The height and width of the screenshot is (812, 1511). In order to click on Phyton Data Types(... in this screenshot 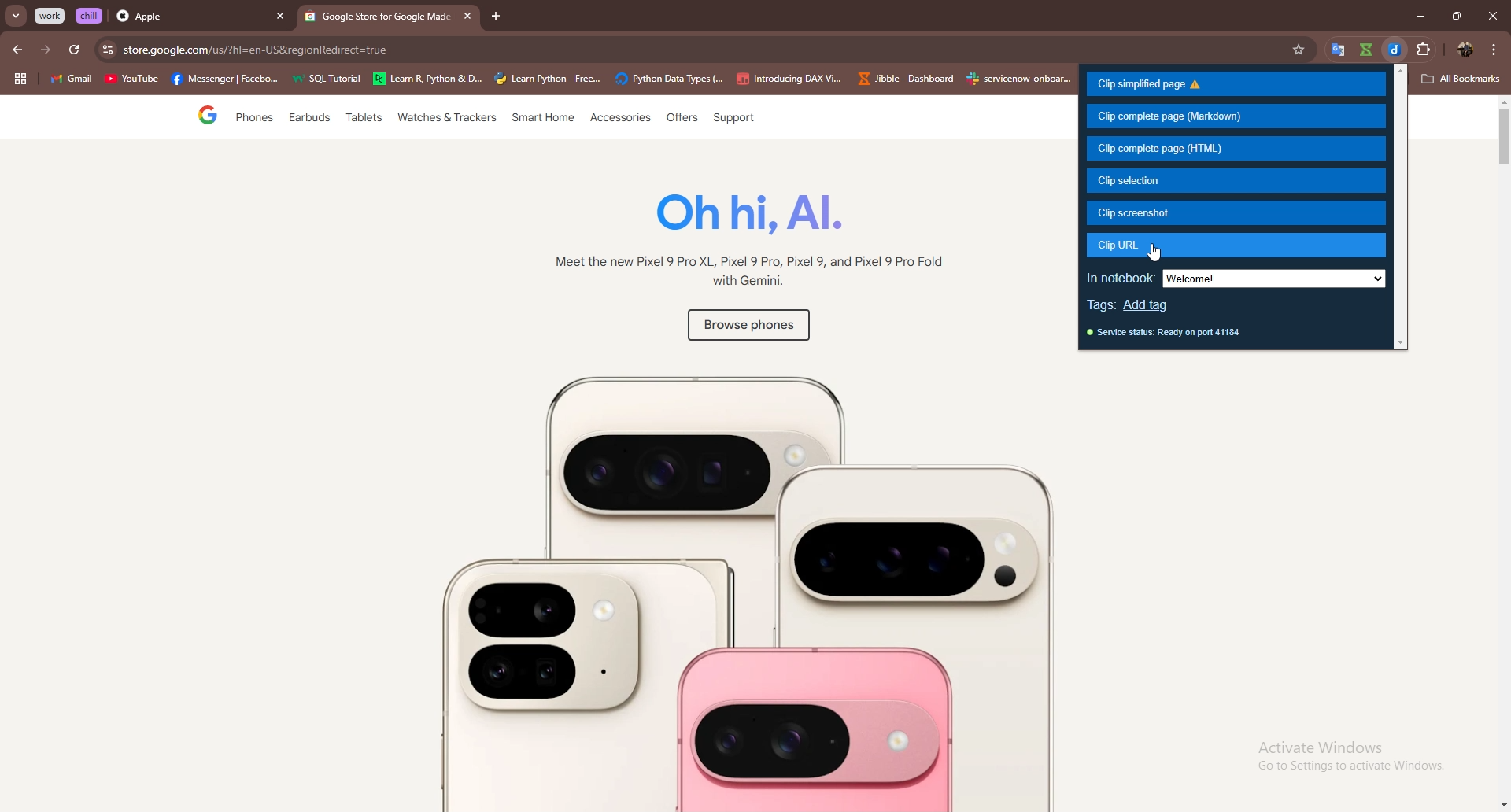, I will do `click(669, 79)`.